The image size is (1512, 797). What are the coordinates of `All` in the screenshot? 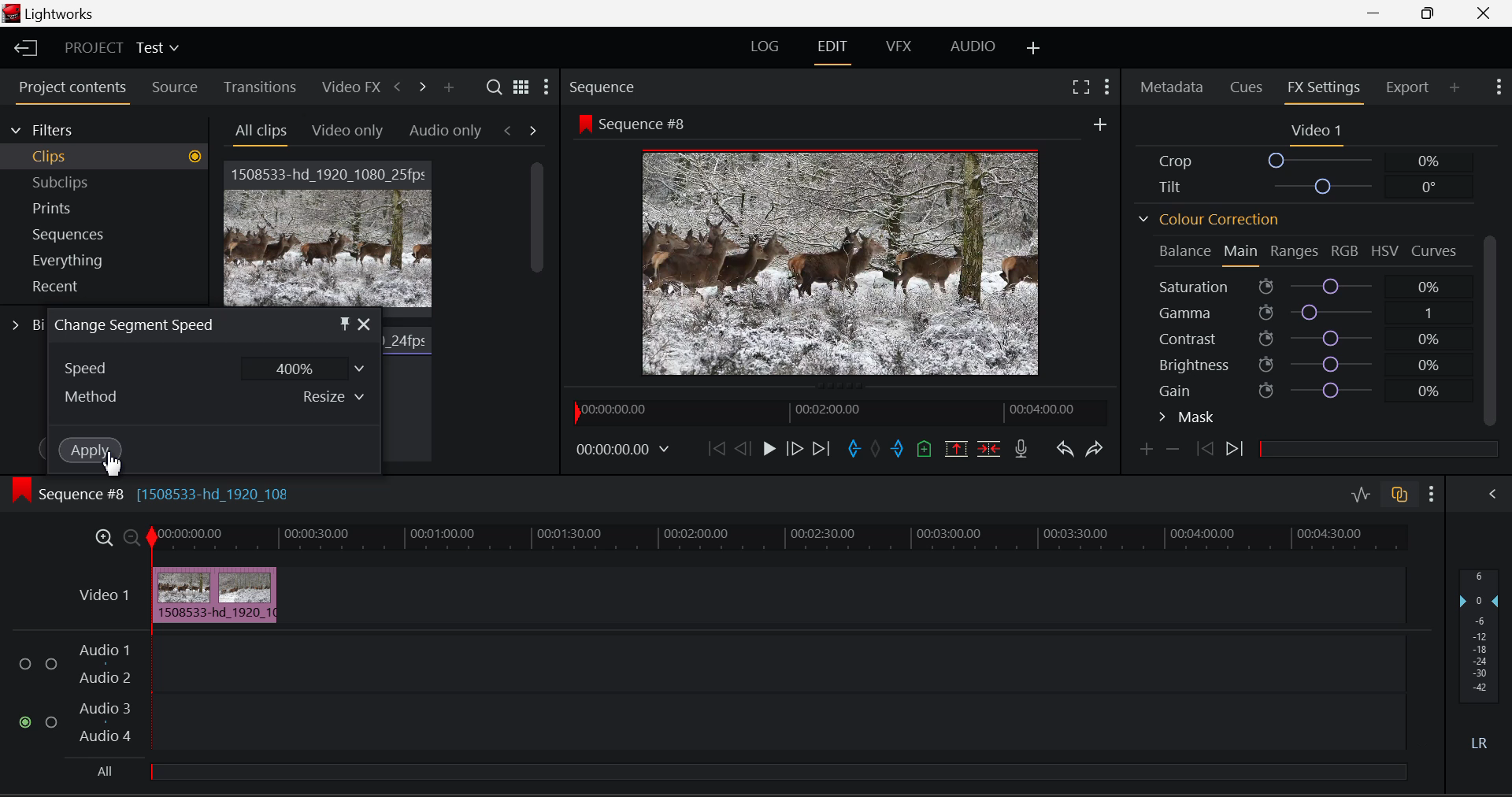 It's located at (743, 773).